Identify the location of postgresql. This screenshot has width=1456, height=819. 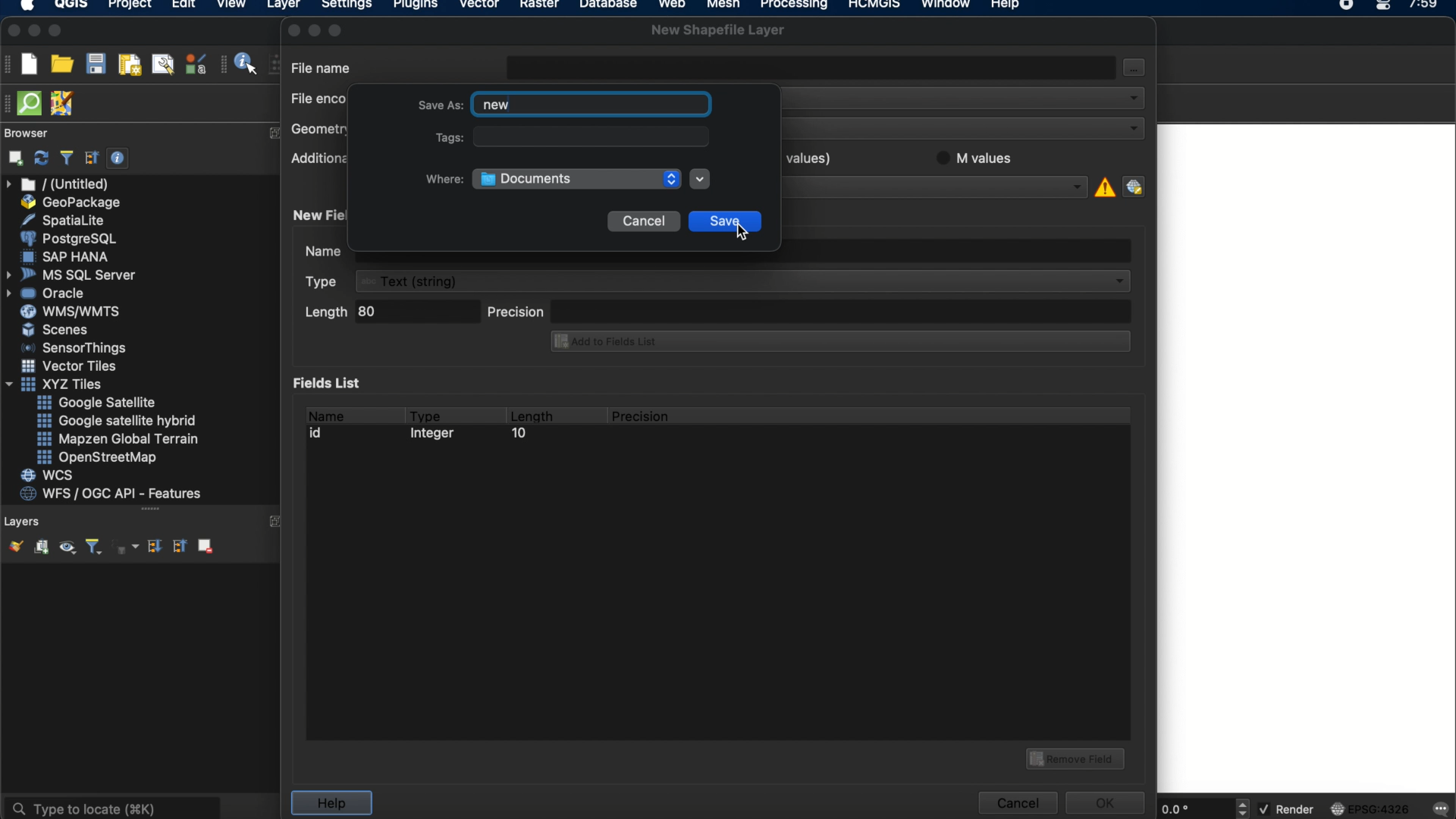
(68, 239).